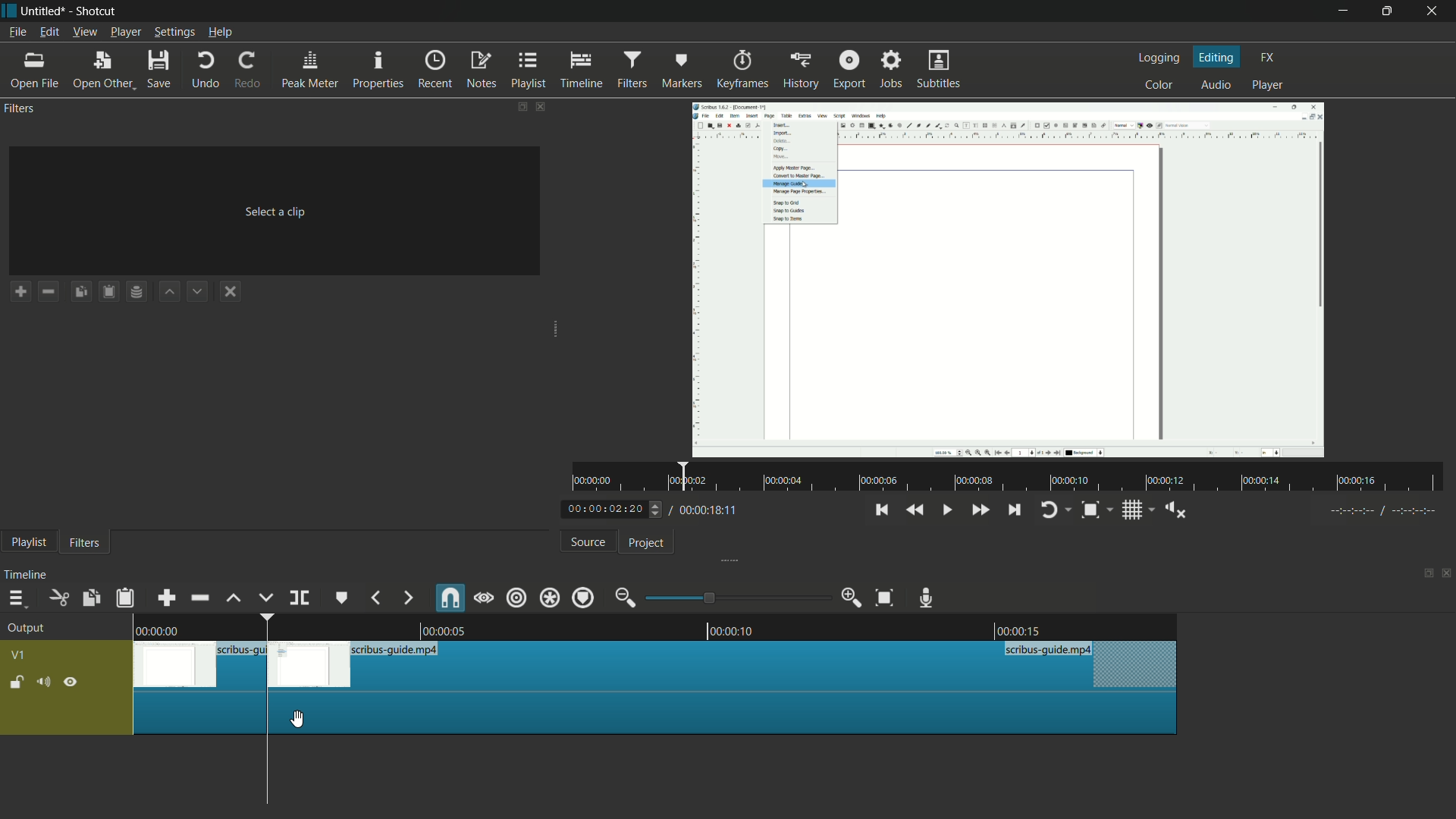 The image size is (1456, 819). What do you see at coordinates (483, 70) in the screenshot?
I see `notes` at bounding box center [483, 70].